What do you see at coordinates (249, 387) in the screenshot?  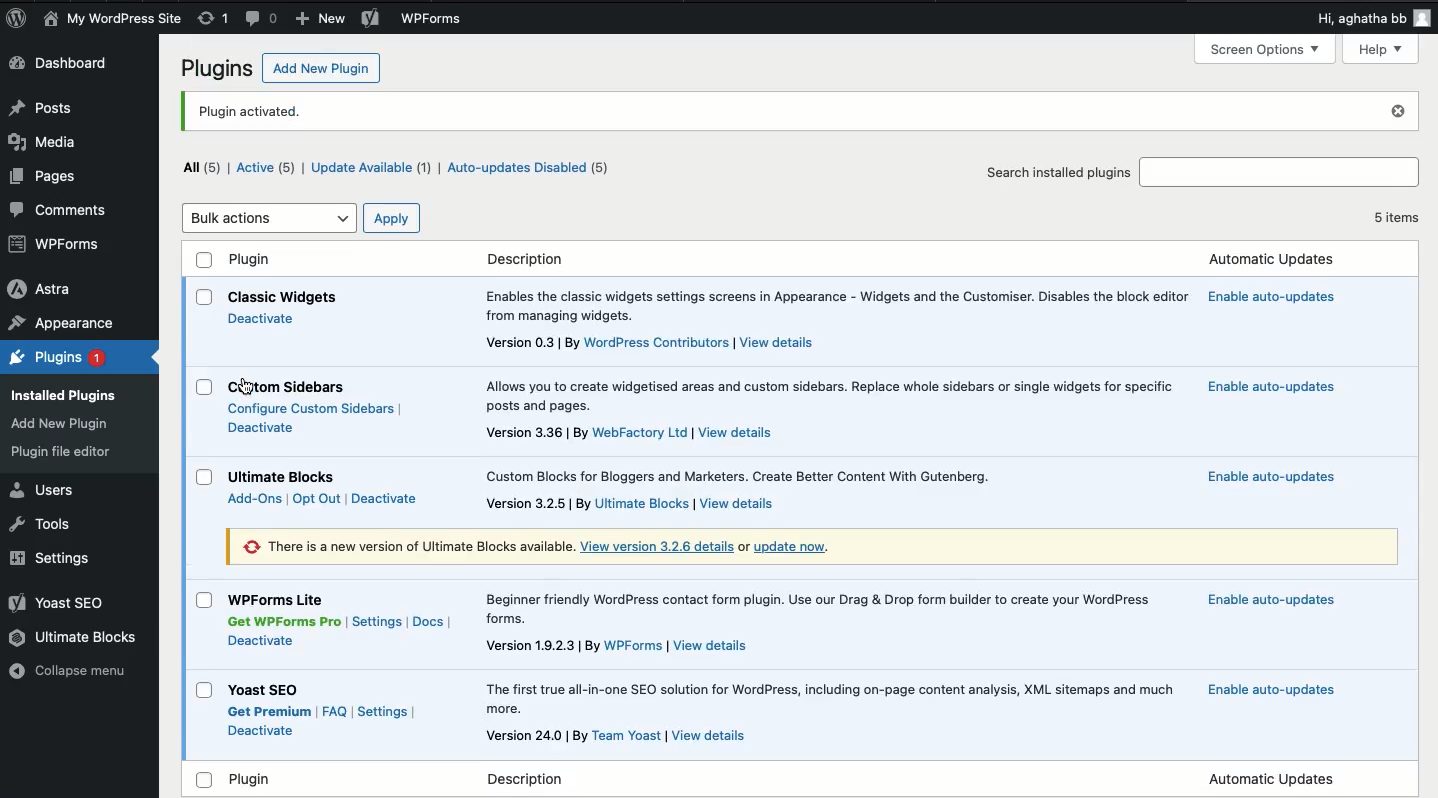 I see `cursor` at bounding box center [249, 387].